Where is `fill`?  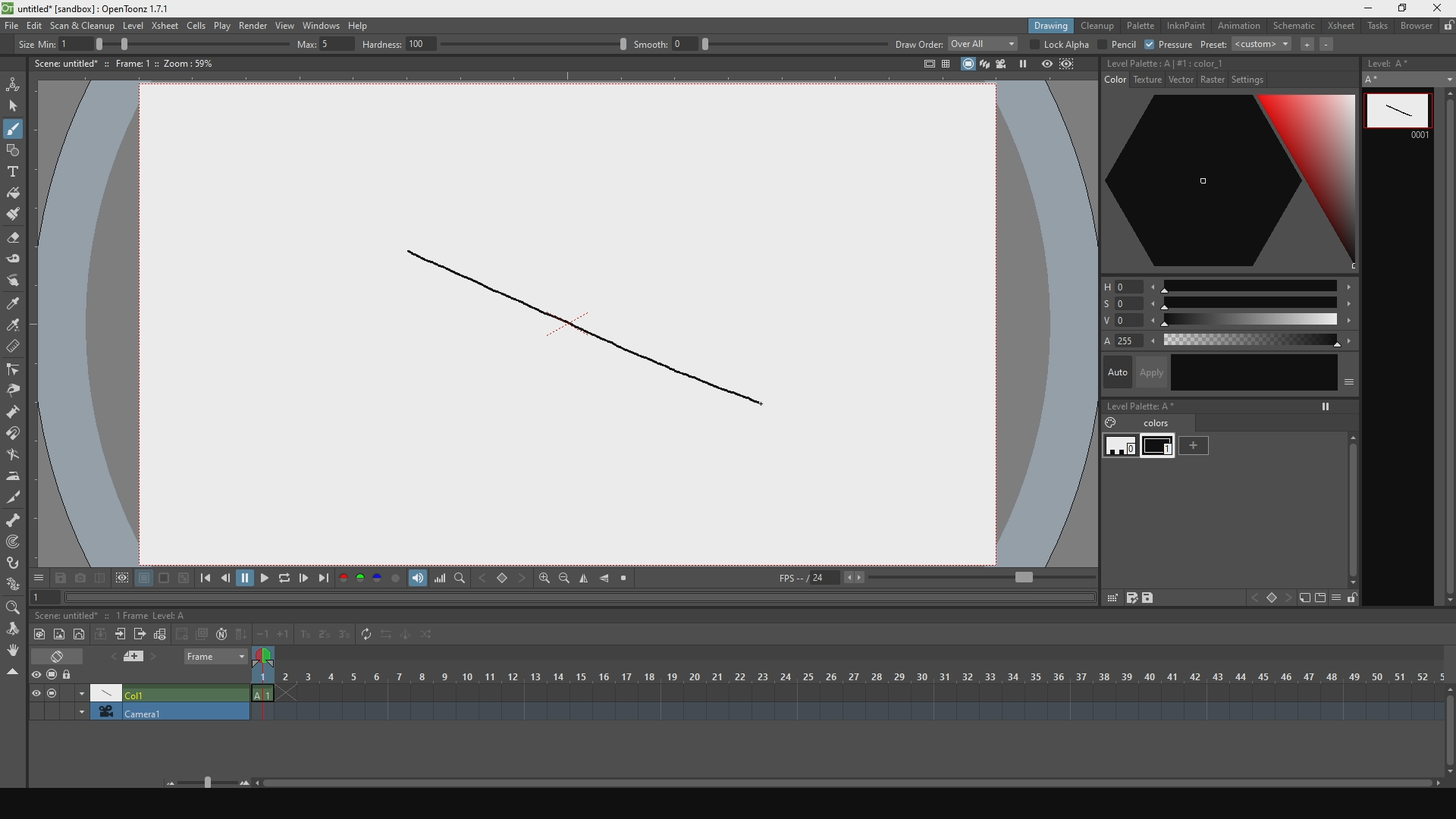
fill is located at coordinates (14, 193).